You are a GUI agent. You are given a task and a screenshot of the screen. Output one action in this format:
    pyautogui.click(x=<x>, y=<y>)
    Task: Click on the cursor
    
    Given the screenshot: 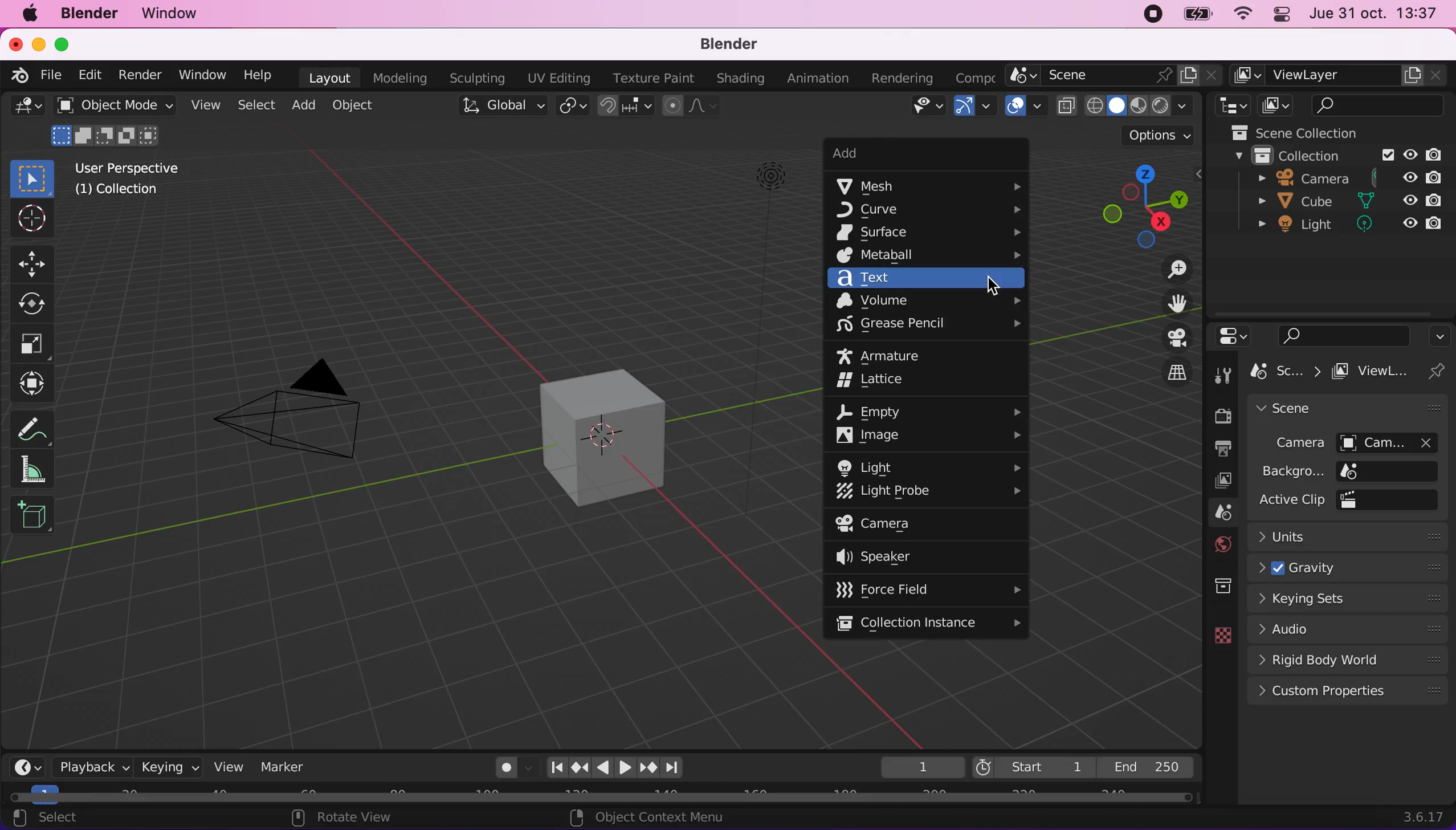 What is the action you would take?
    pyautogui.click(x=31, y=219)
    